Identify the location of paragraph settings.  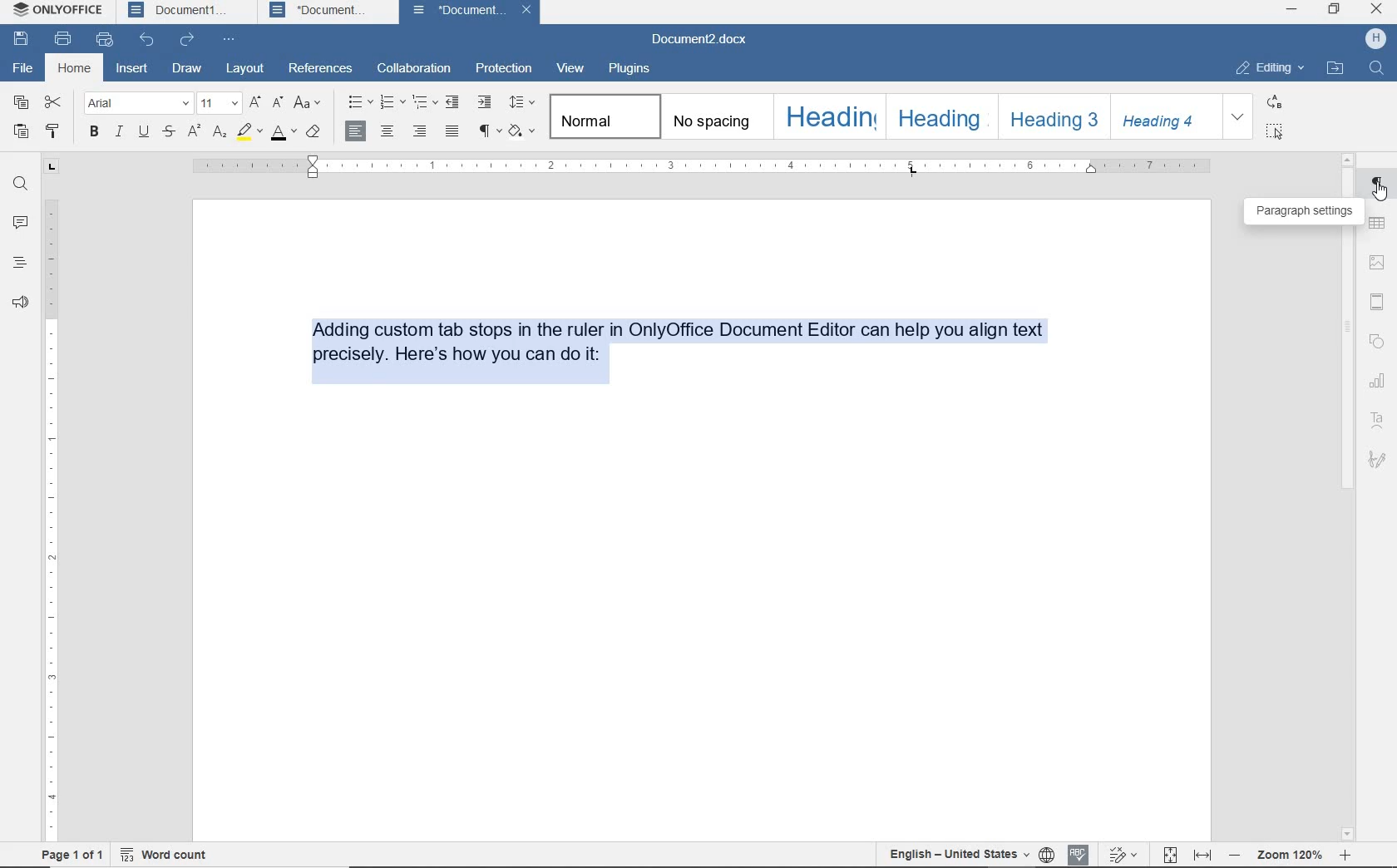
(1305, 211).